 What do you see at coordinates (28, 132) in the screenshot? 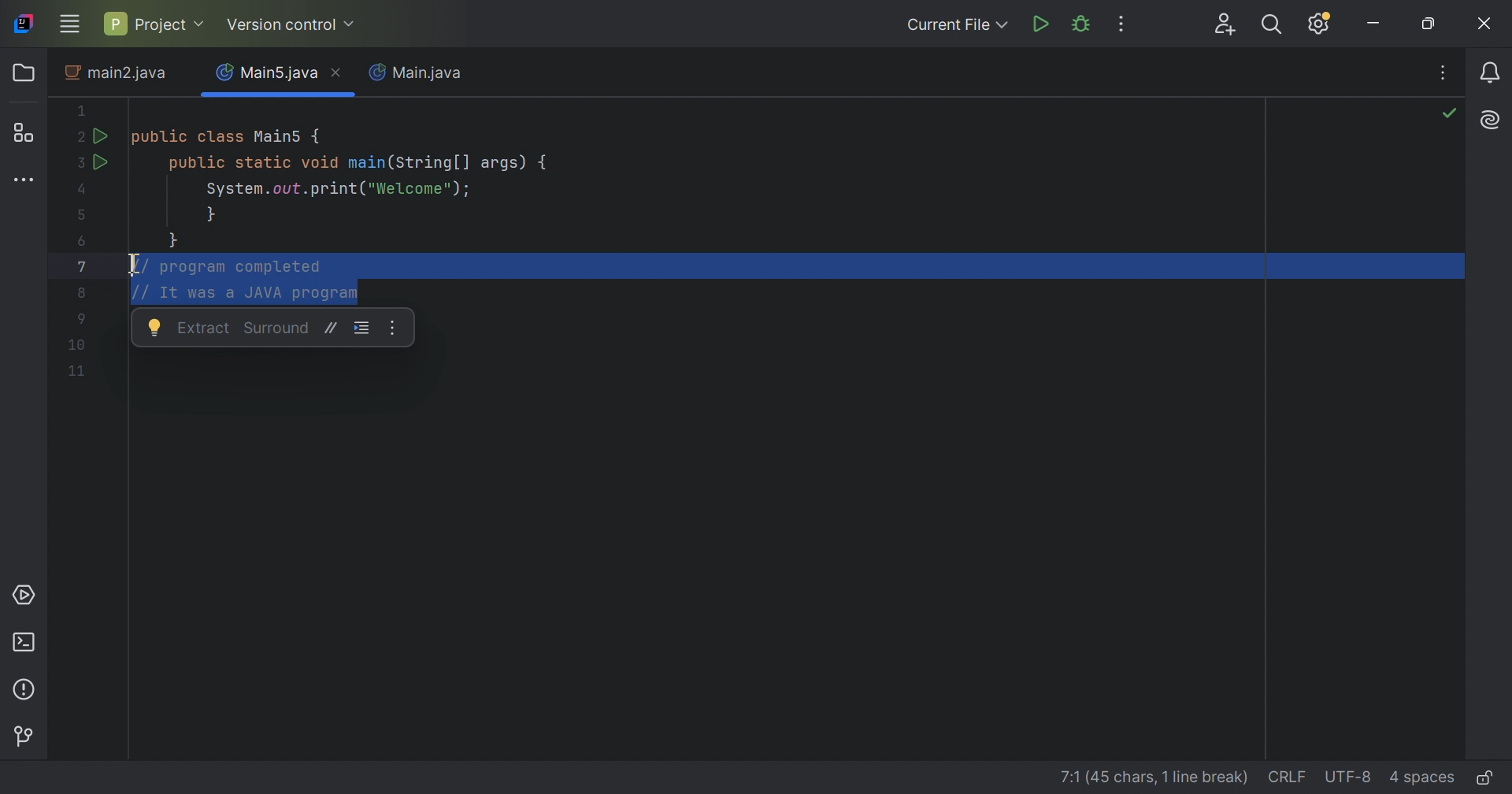
I see `Structure` at bounding box center [28, 132].